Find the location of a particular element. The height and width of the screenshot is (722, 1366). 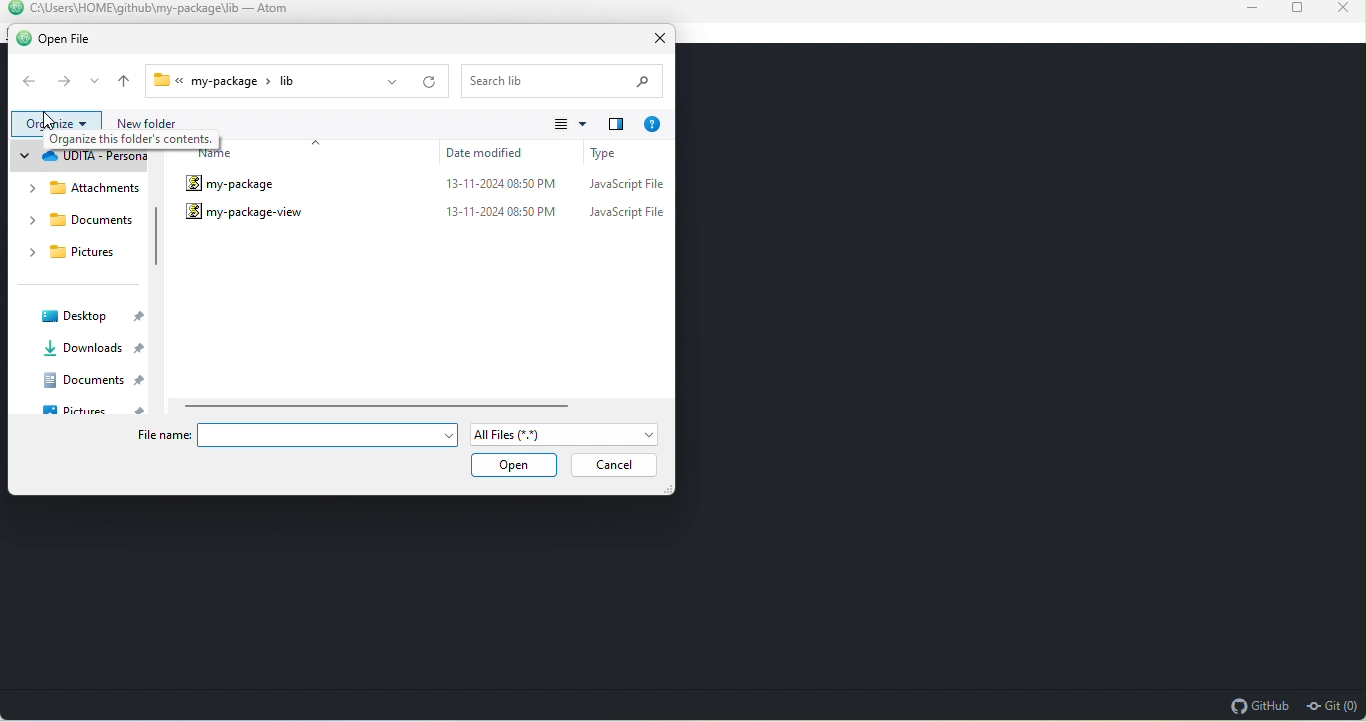

cursor is located at coordinates (52, 121).